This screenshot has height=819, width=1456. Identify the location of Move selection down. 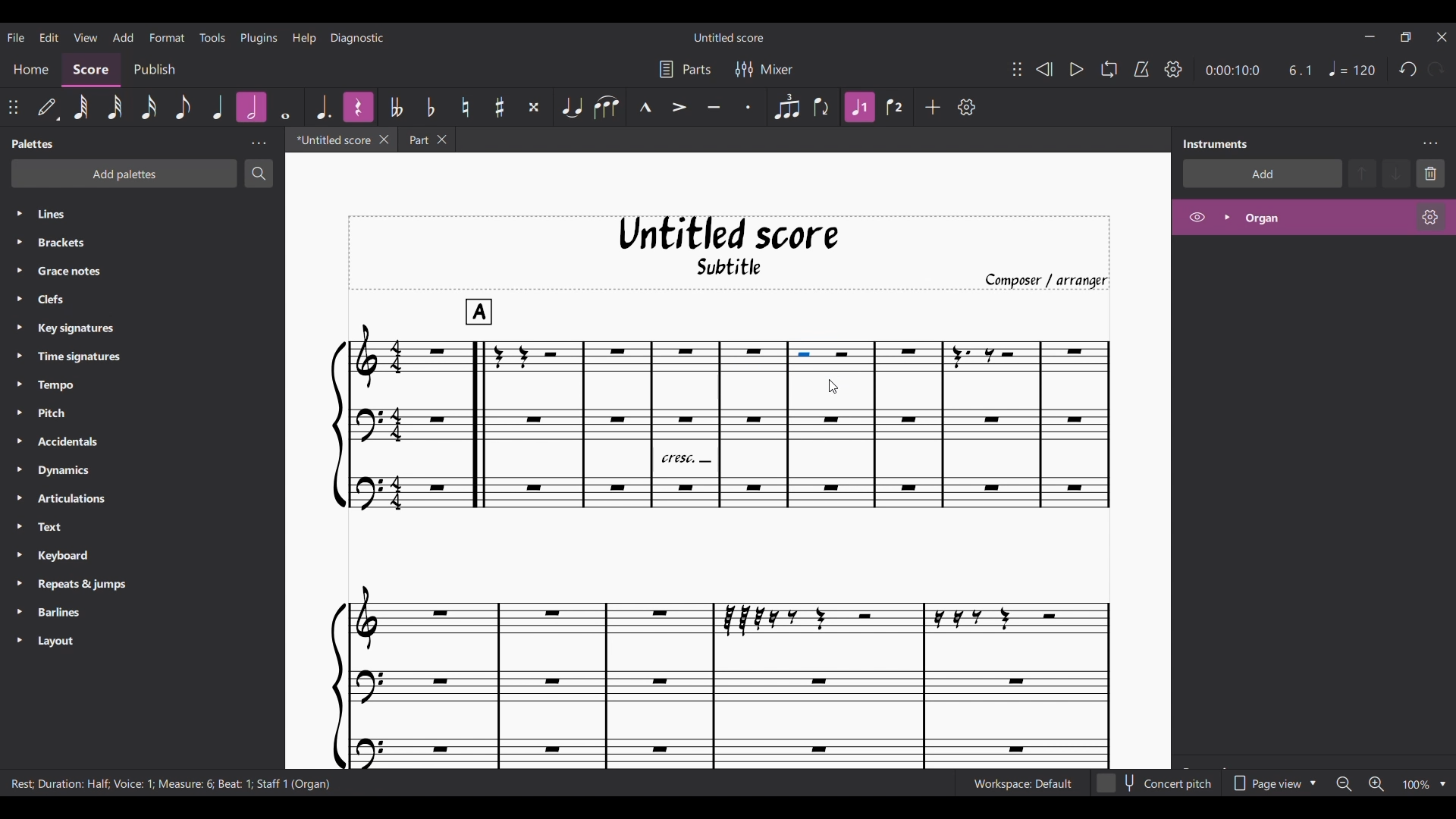
(1396, 174).